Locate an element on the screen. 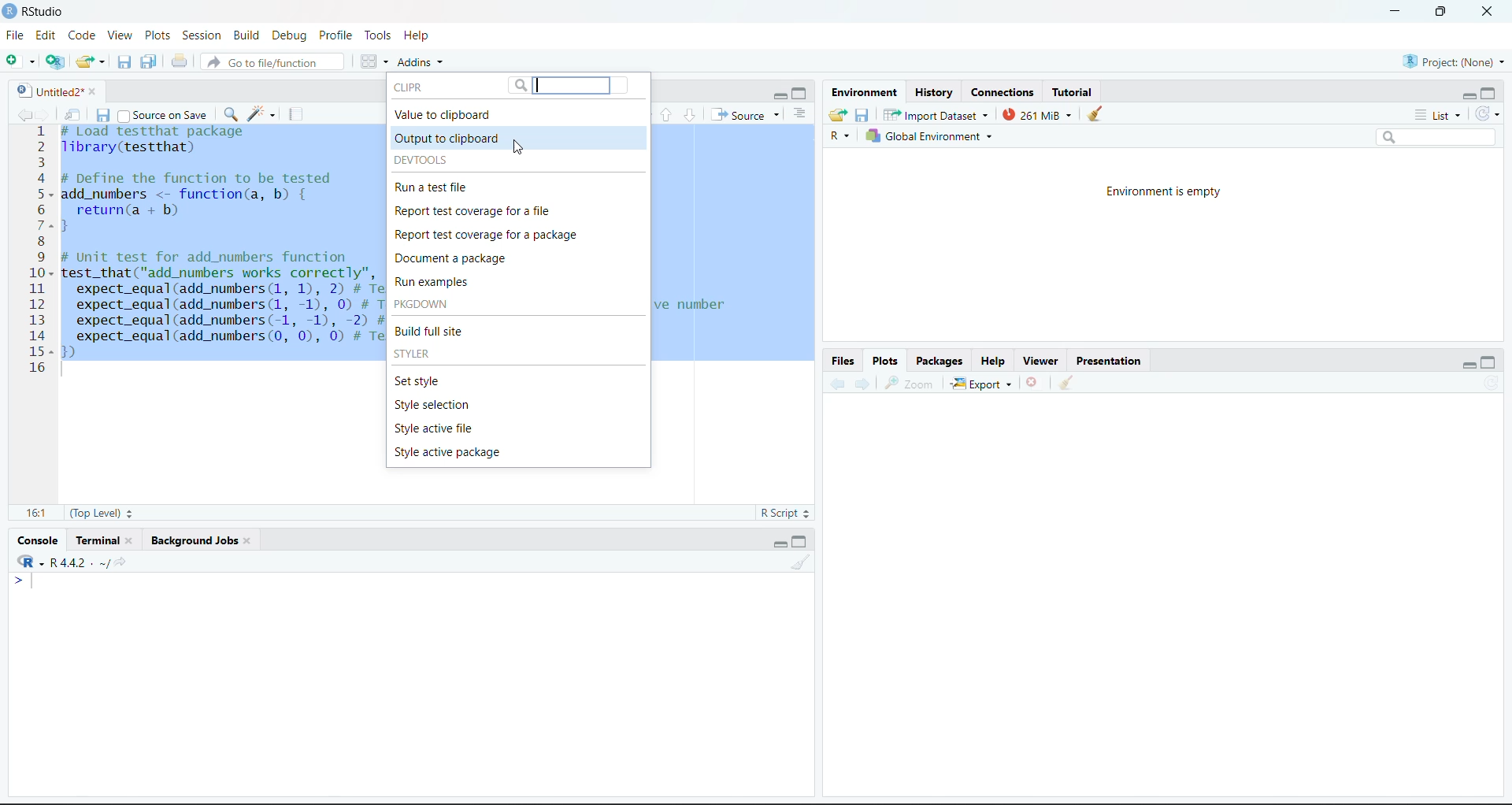 The height and width of the screenshot is (805, 1512). maximize is located at coordinates (800, 93).